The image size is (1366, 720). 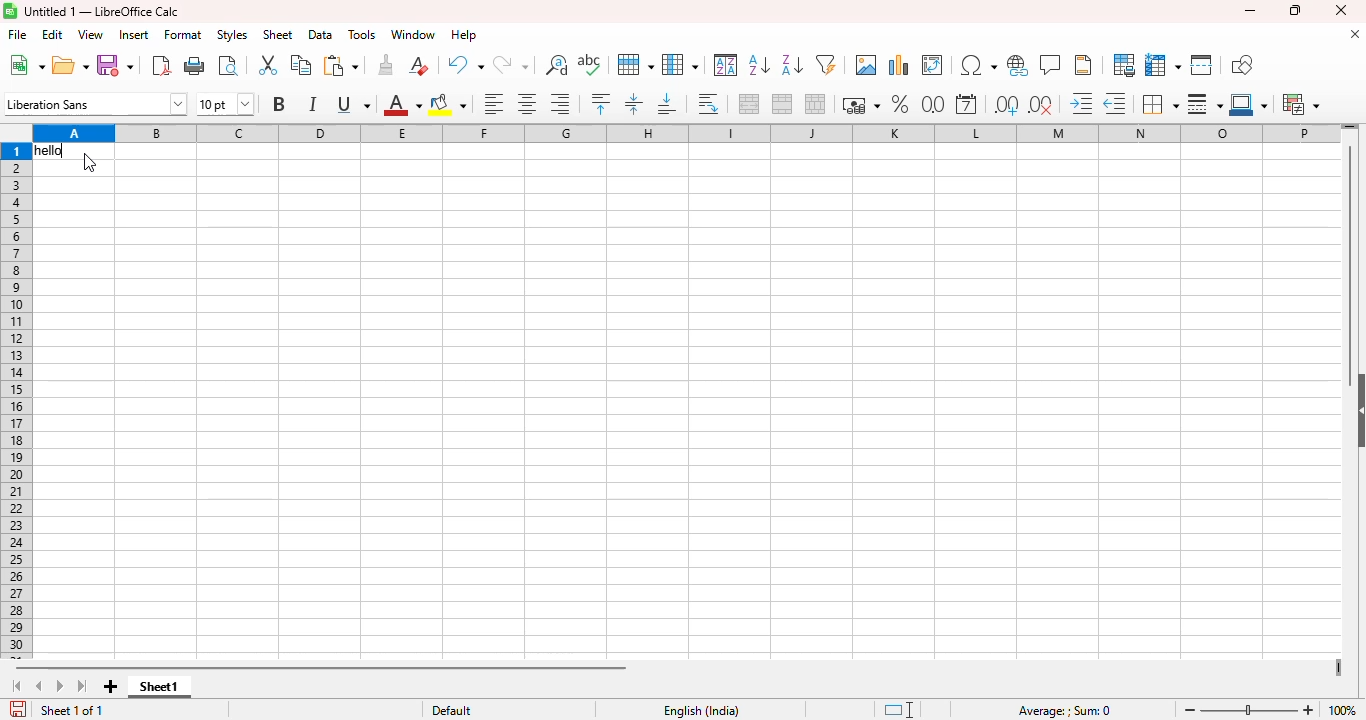 What do you see at coordinates (557, 65) in the screenshot?
I see `find and replace` at bounding box center [557, 65].